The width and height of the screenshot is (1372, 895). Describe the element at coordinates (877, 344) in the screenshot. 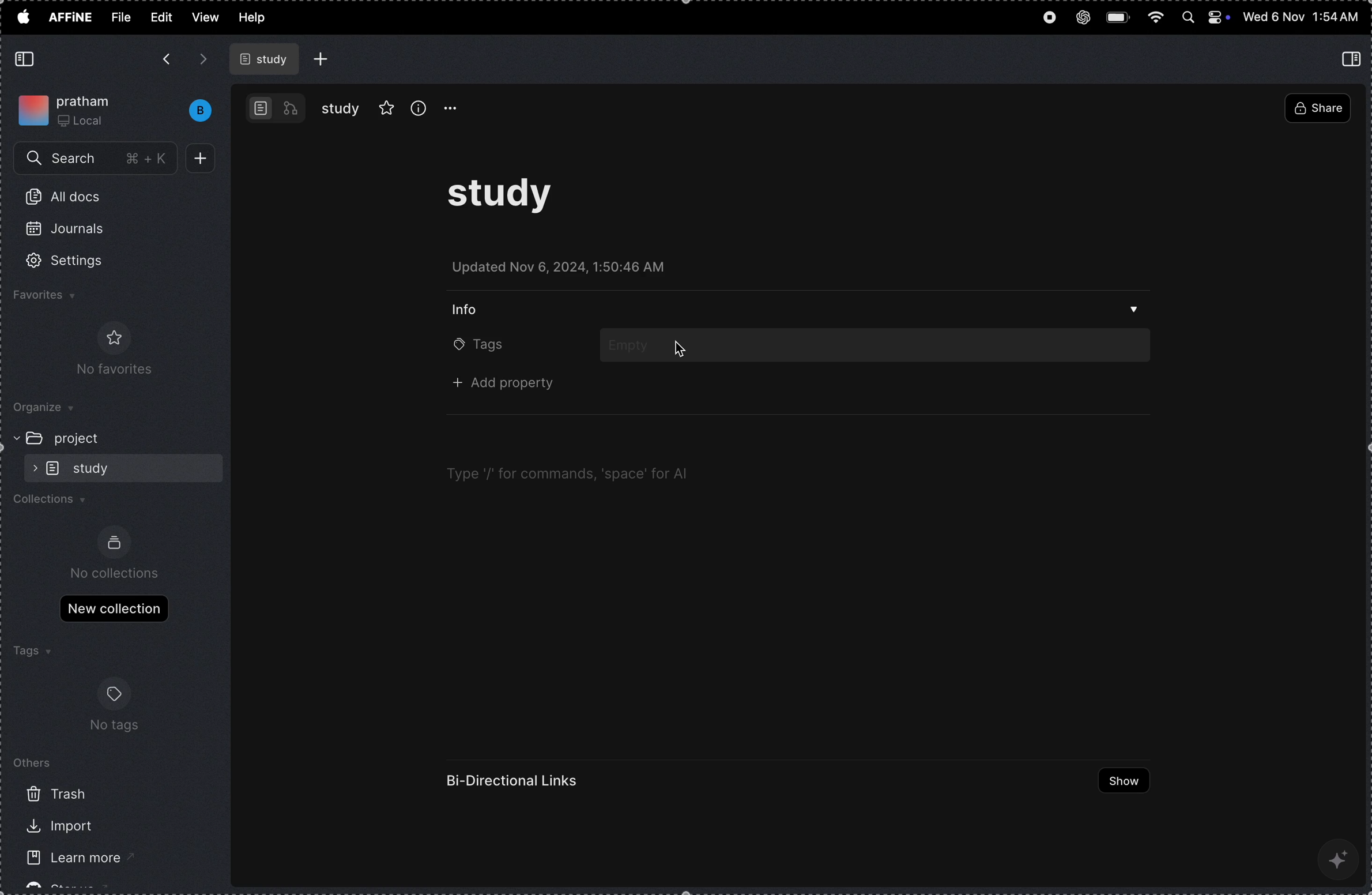

I see `add tags` at that location.